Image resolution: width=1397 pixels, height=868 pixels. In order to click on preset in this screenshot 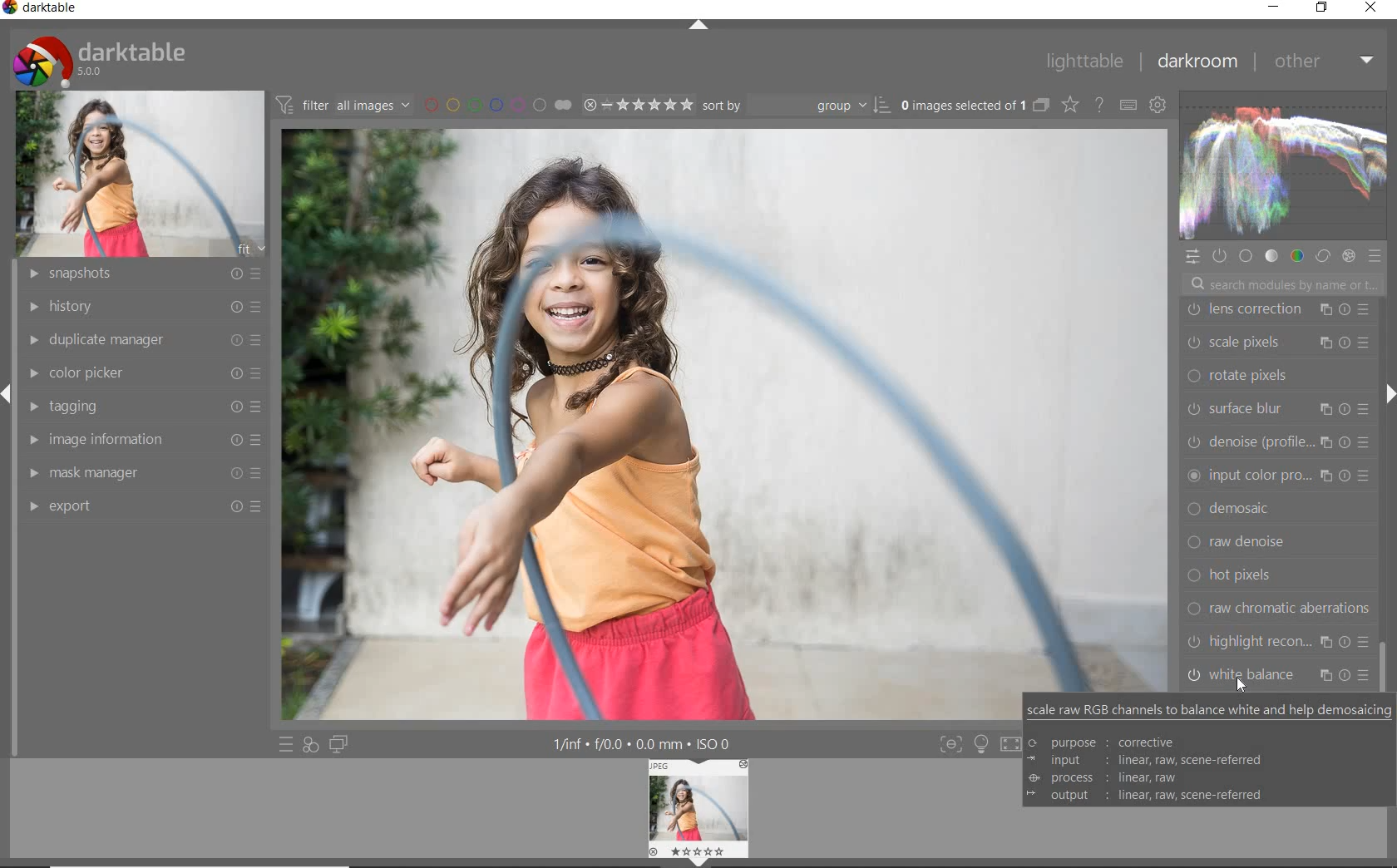, I will do `click(1377, 259)`.